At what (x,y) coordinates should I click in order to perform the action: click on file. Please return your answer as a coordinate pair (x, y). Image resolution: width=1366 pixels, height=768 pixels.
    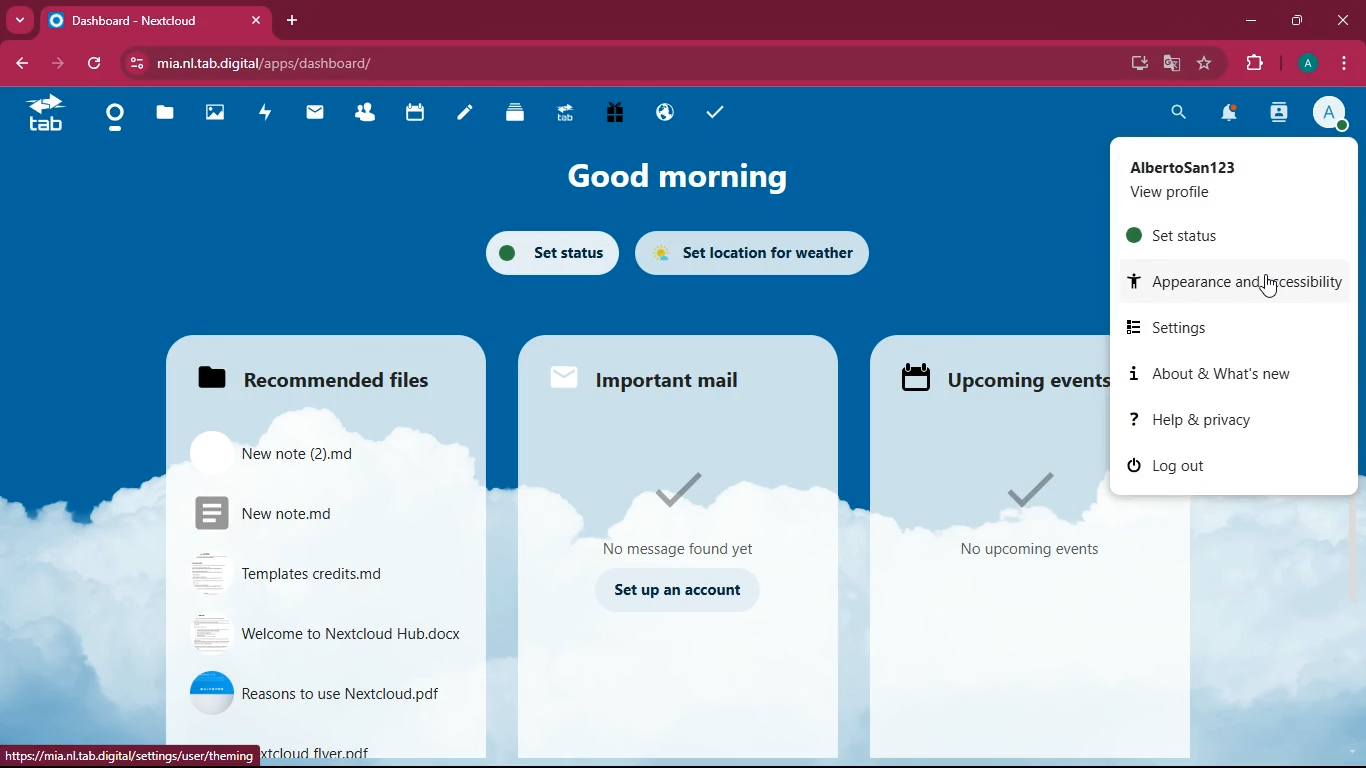
    Looking at the image, I should click on (362, 748).